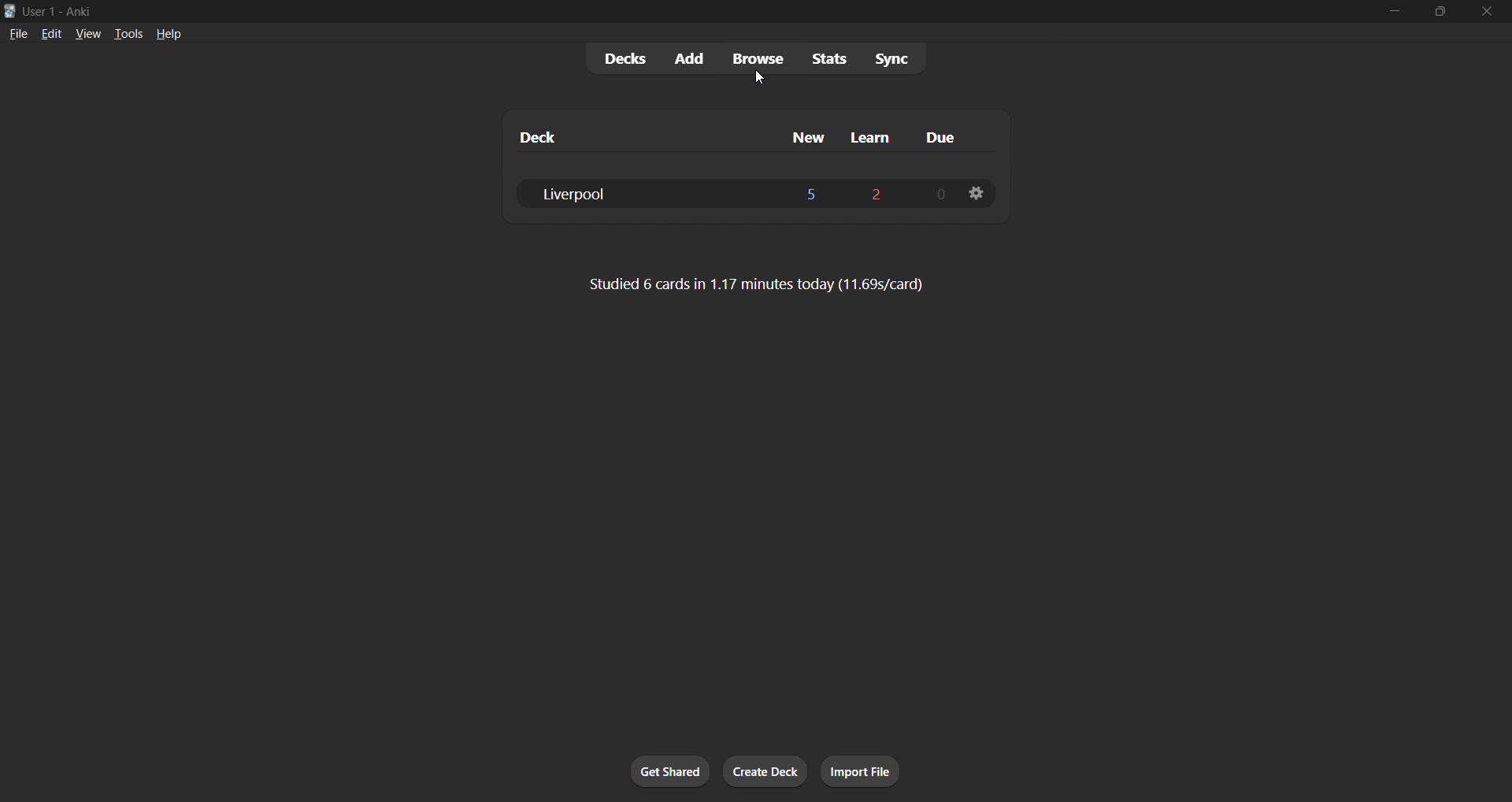 The image size is (1512, 802). Describe the element at coordinates (624, 58) in the screenshot. I see `decks` at that location.